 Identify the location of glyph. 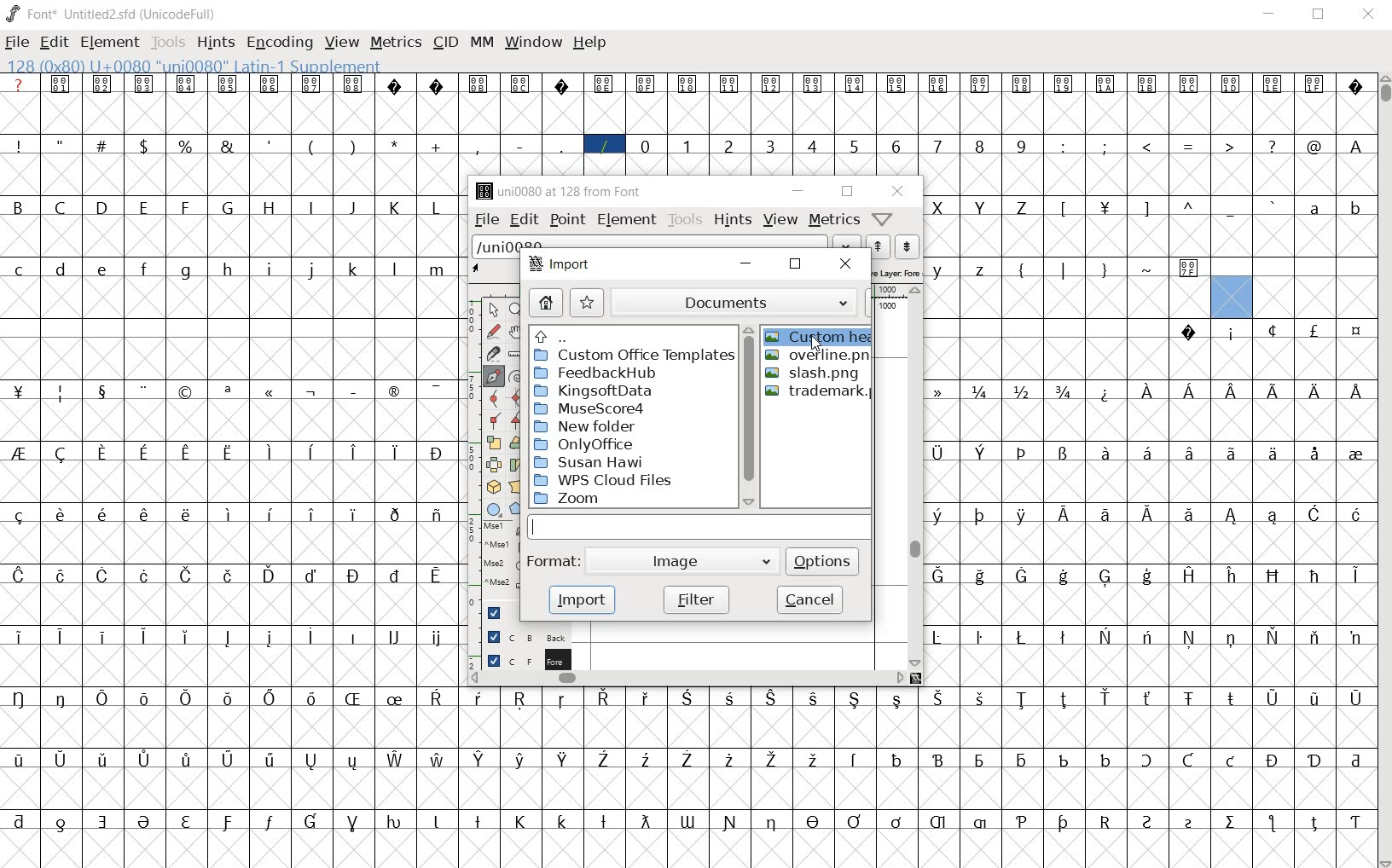
(1314, 83).